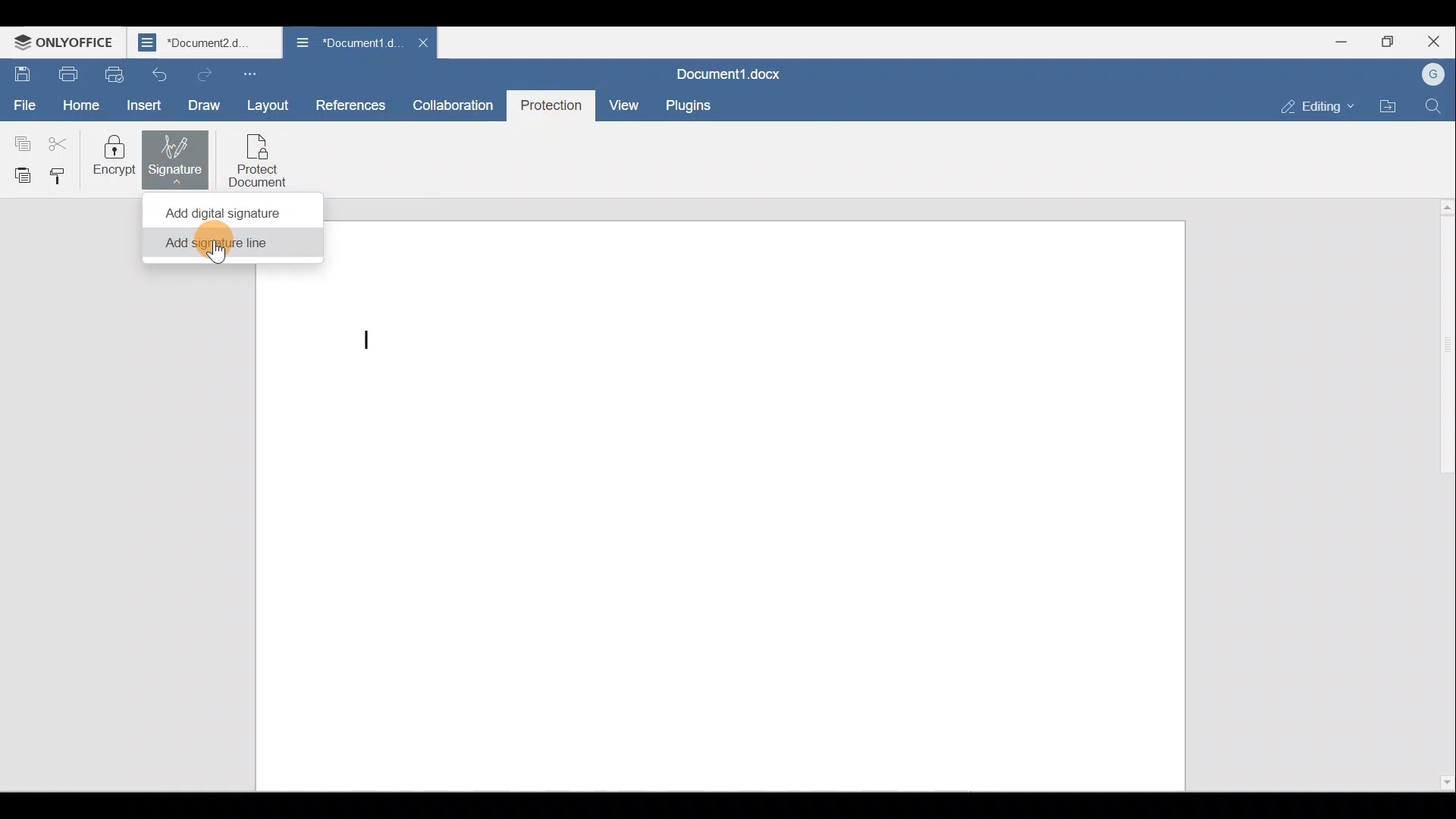  What do you see at coordinates (60, 140) in the screenshot?
I see `Cut` at bounding box center [60, 140].